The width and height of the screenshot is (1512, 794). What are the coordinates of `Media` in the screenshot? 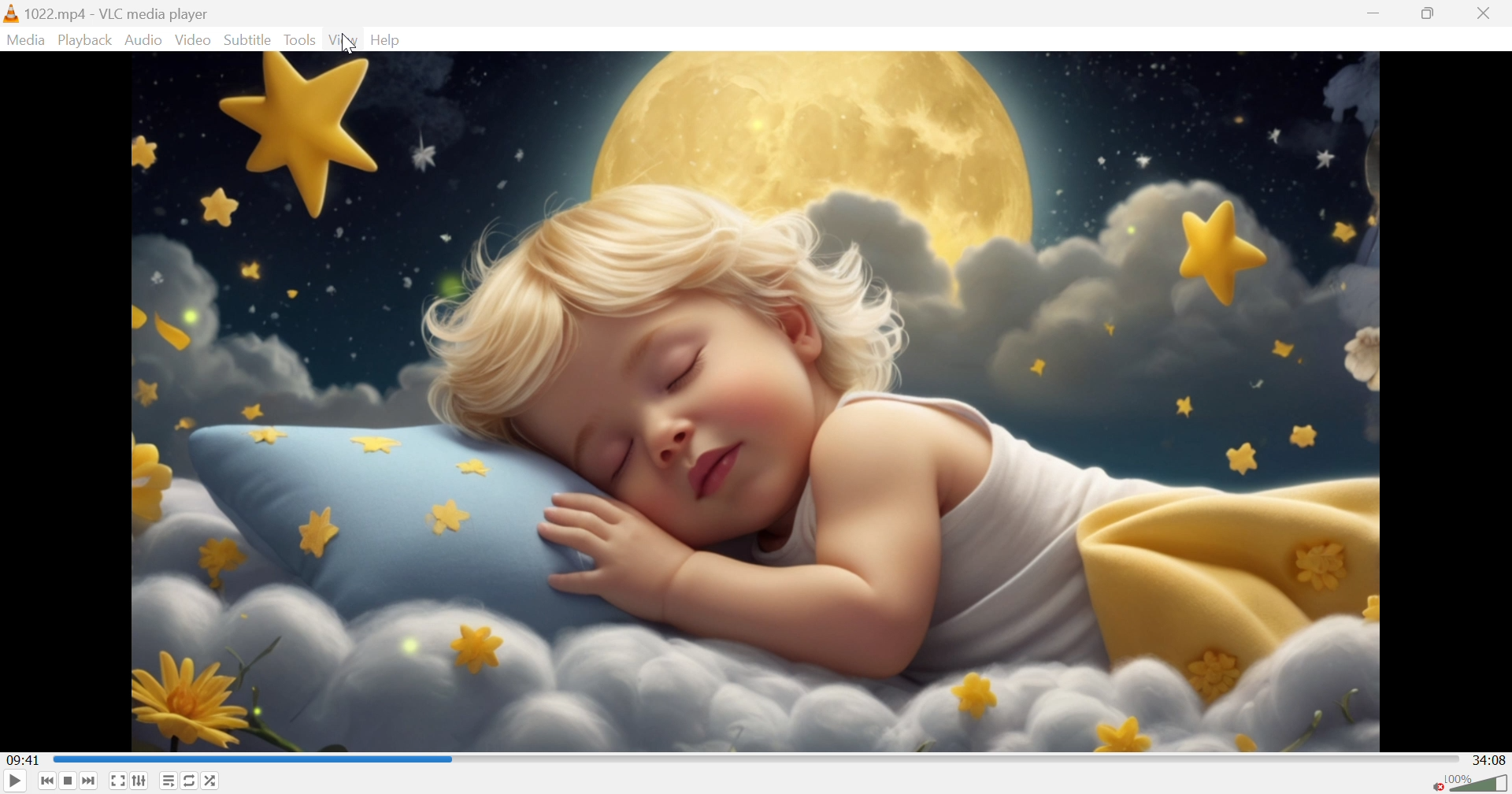 It's located at (24, 39).